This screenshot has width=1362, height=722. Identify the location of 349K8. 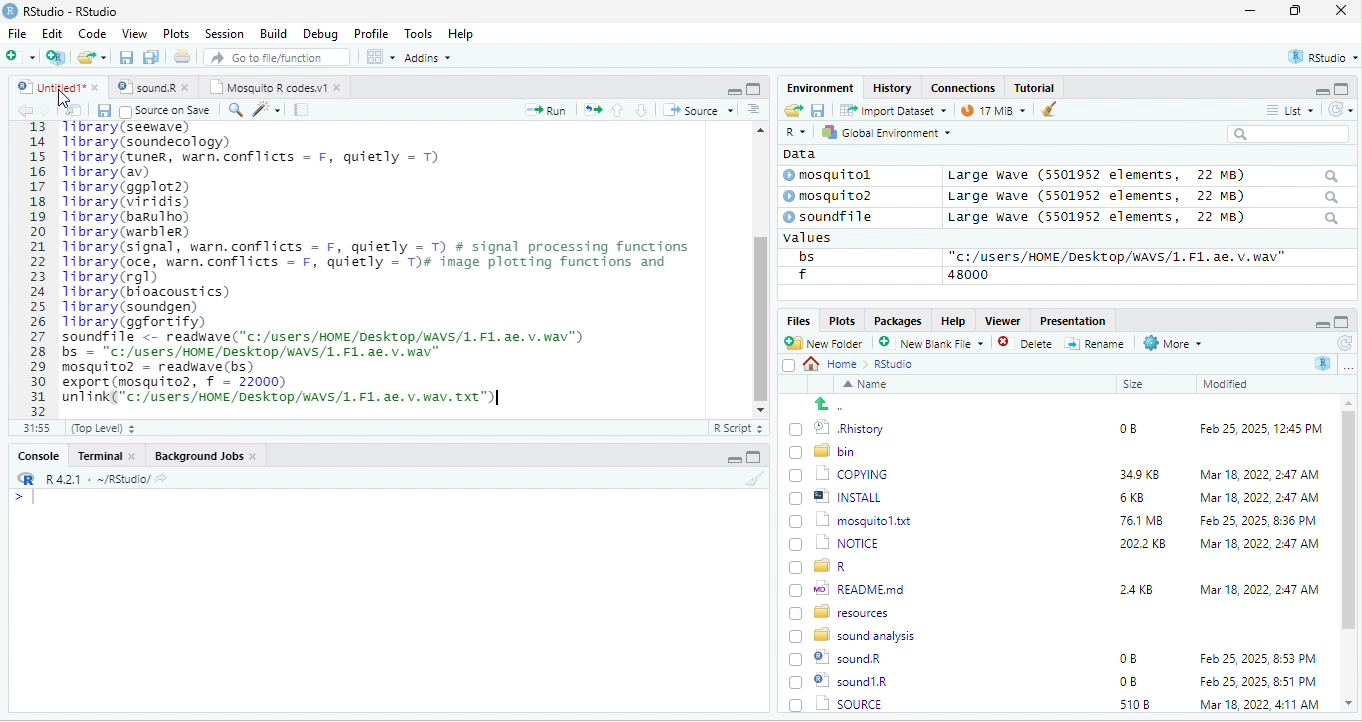
(1140, 475).